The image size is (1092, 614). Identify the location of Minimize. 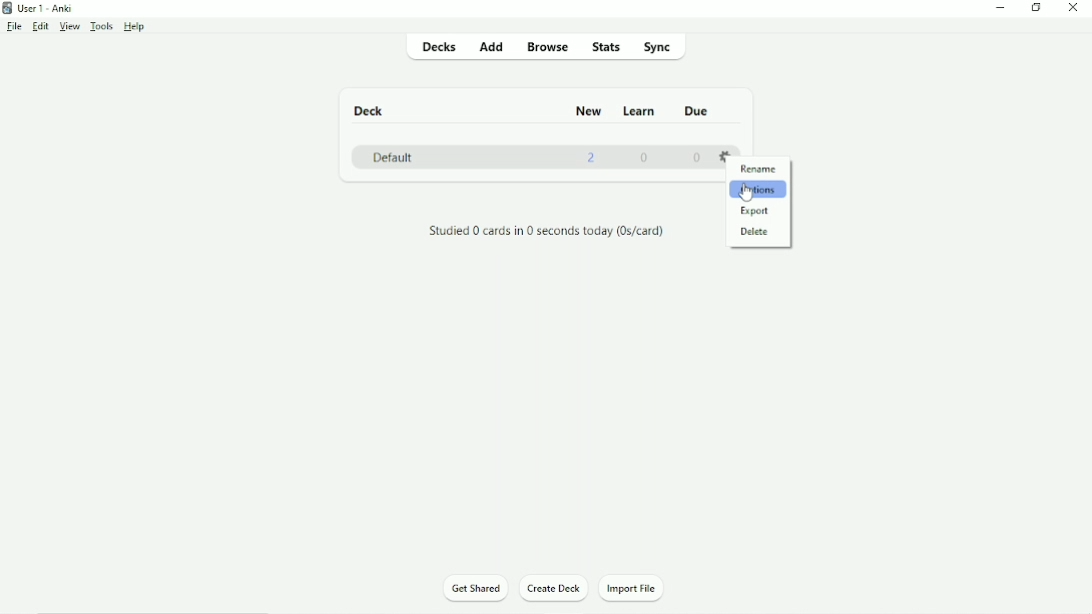
(1003, 7).